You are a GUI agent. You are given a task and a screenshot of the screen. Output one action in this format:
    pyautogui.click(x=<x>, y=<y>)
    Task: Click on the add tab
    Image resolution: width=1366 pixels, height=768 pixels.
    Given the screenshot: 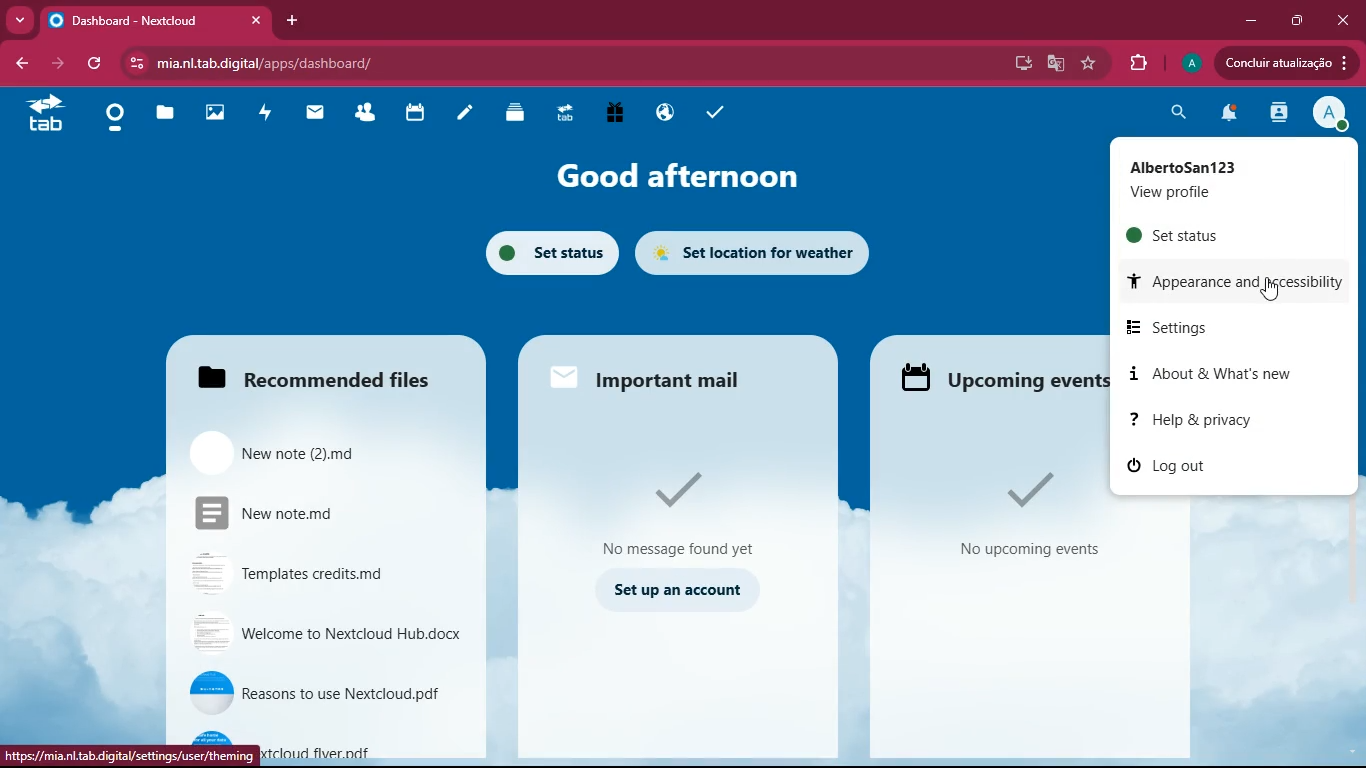 What is the action you would take?
    pyautogui.click(x=292, y=19)
    